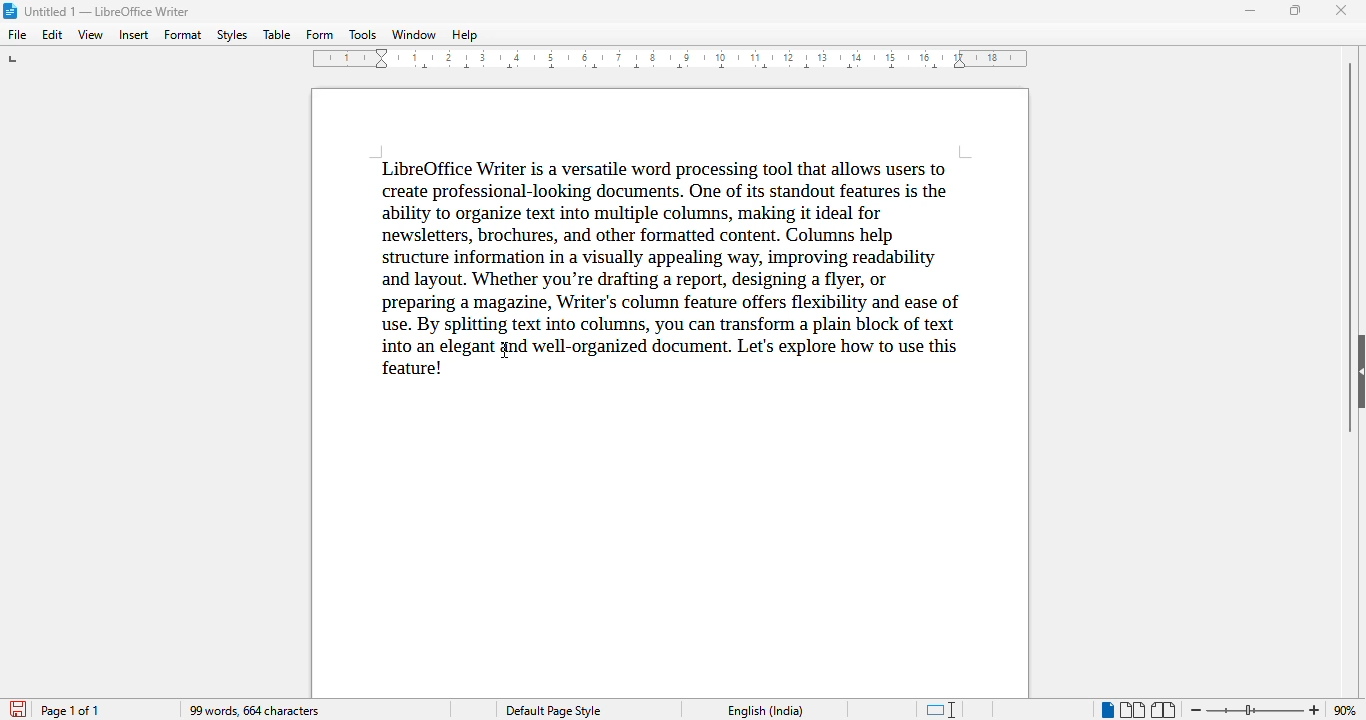  Describe the element at coordinates (676, 268) in the screenshot. I see `LibreOffice Writer is a versatile word processing tool that allows users to create professional-looking documents. One of its standout features is the ability to organize text into multiple columns, making it ideal for newsletters, brochures, and other formatted content. Columns help structure information in a visually appealing way, improving readability and layout. Whether you're drafting a report, designing a flyer, or preparing a magazine, Writer's column feature offers flexibility and ease of use. By splitting text into columns, you can transform a plain block of text into an elegant and well-organized document. Let's explore how to use this feature!` at that location.